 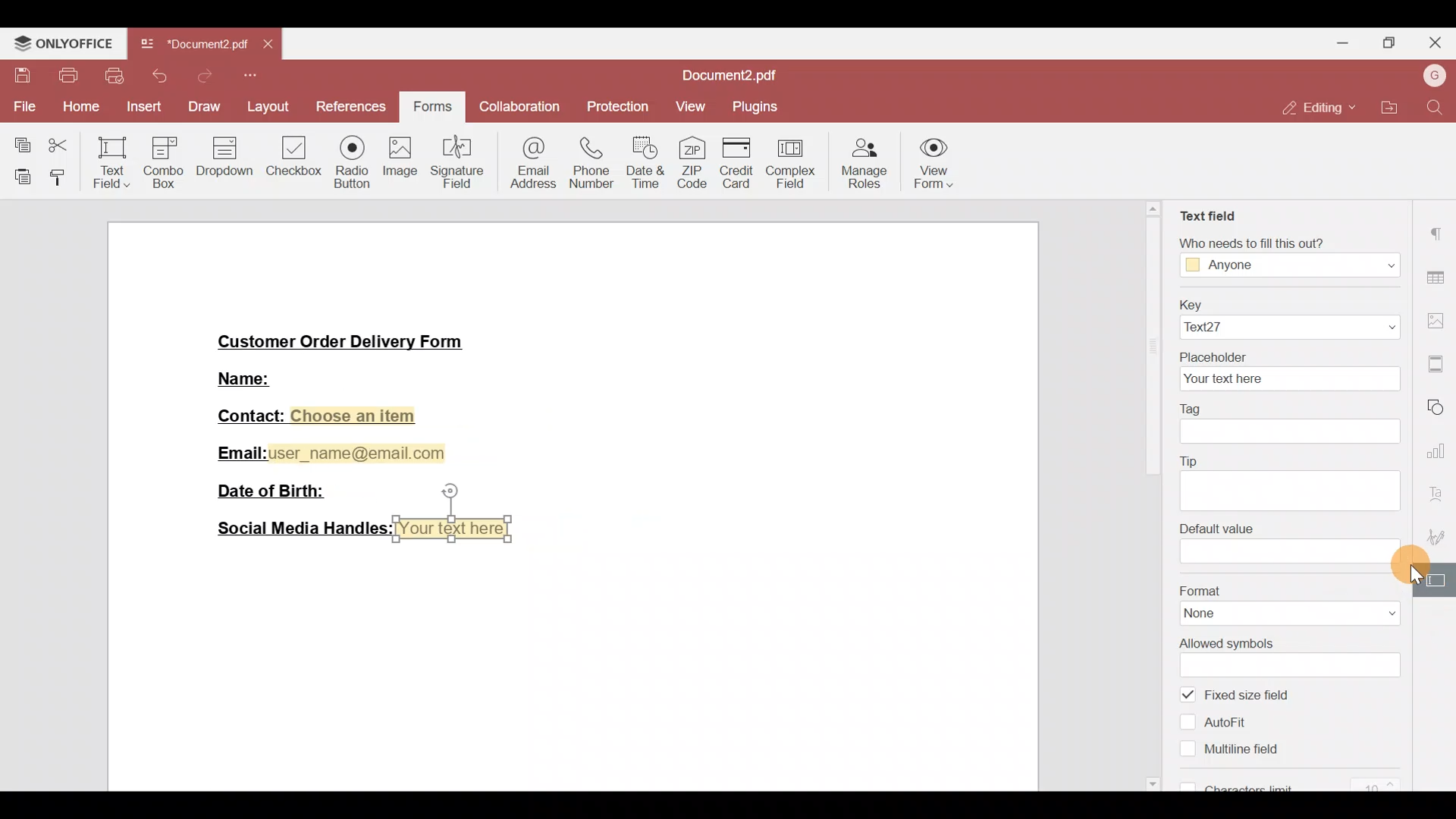 What do you see at coordinates (349, 105) in the screenshot?
I see `References` at bounding box center [349, 105].